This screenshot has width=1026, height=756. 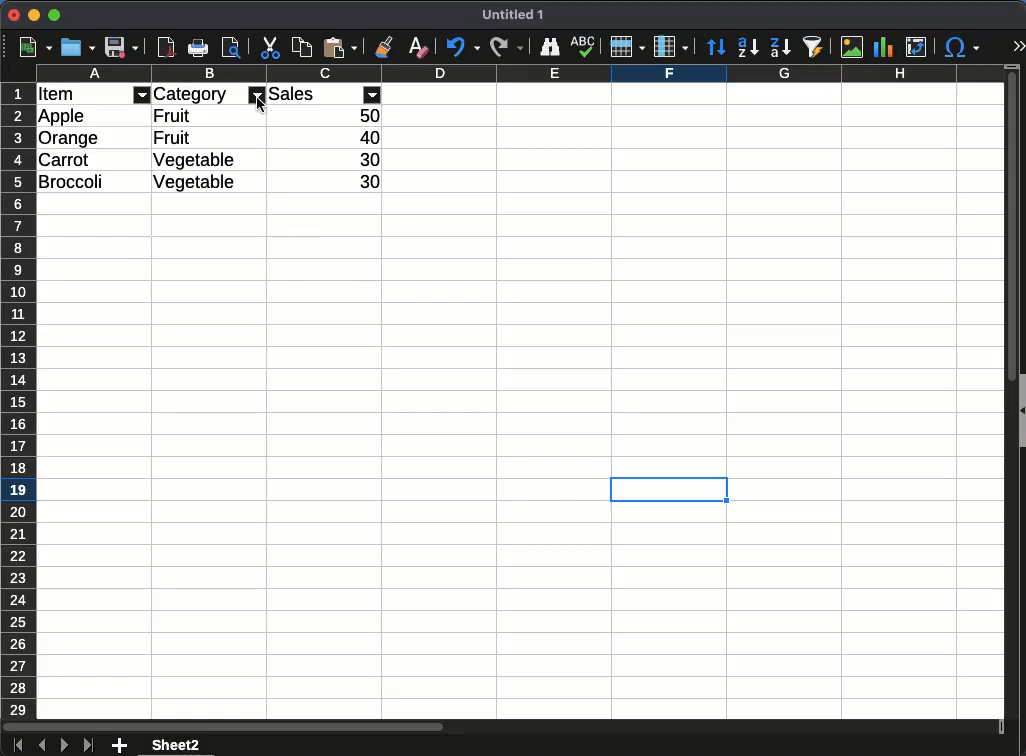 I want to click on fruit, so click(x=177, y=116).